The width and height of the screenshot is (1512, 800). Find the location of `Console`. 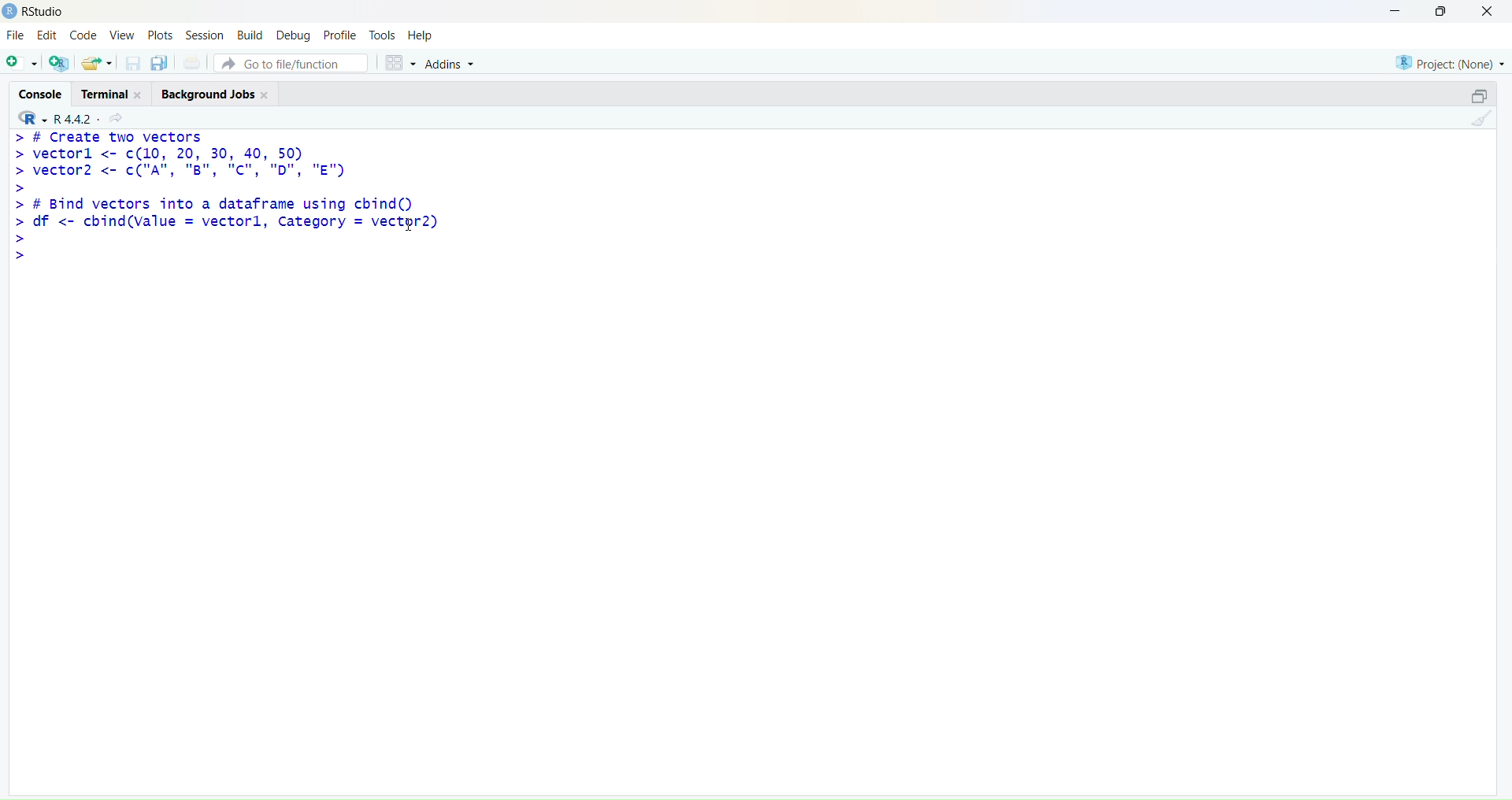

Console is located at coordinates (39, 92).